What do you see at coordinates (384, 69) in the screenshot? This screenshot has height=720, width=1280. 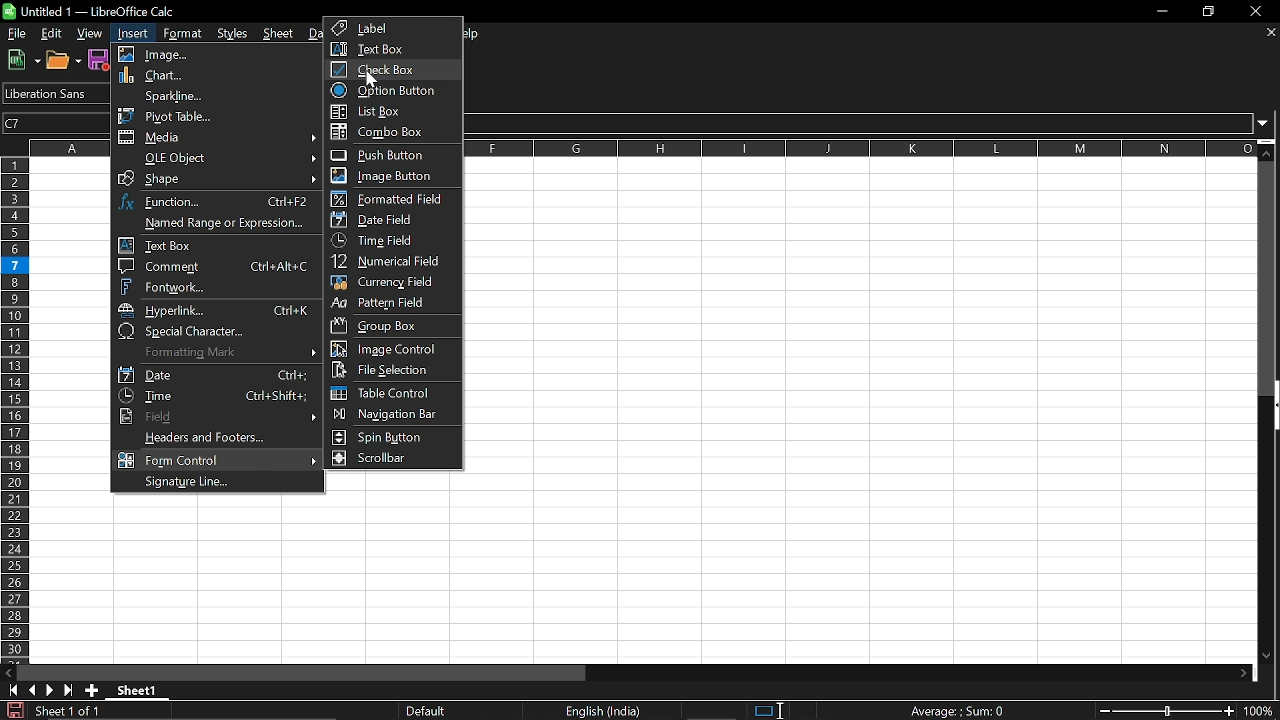 I see `Check box` at bounding box center [384, 69].